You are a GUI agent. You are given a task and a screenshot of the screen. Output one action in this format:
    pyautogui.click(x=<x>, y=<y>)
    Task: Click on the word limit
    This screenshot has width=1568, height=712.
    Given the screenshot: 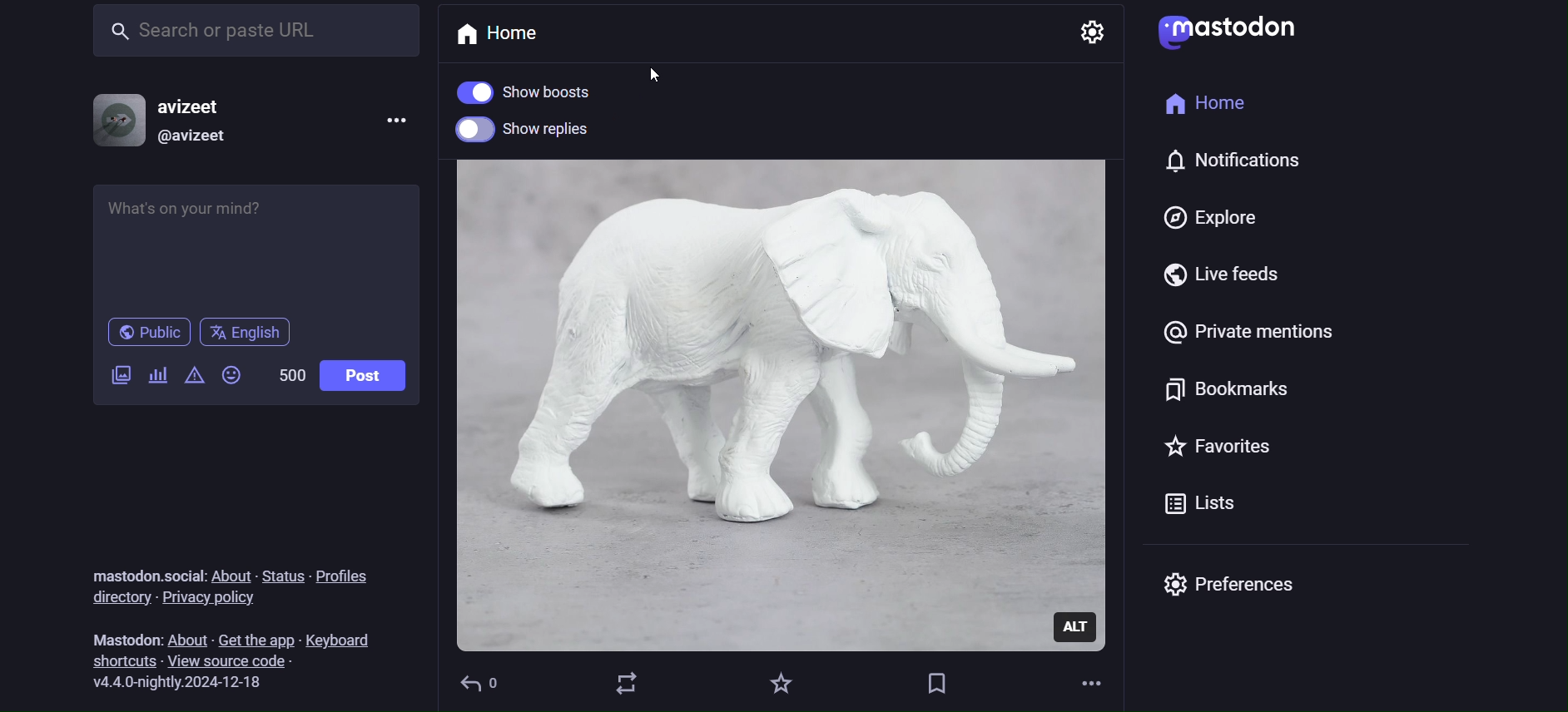 What is the action you would take?
    pyautogui.click(x=289, y=372)
    